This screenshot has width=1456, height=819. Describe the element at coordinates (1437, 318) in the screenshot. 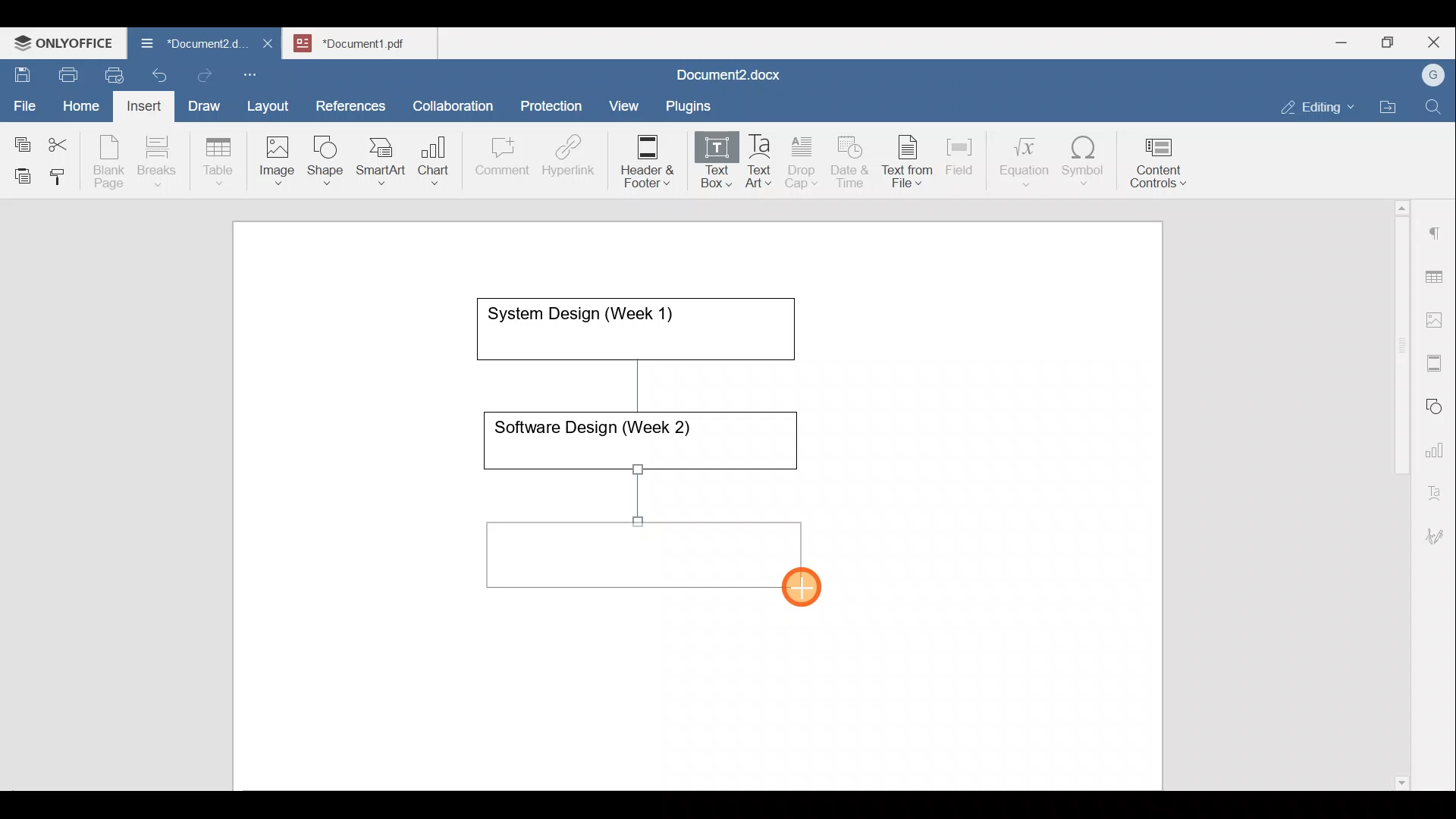

I see `Image settings` at that location.